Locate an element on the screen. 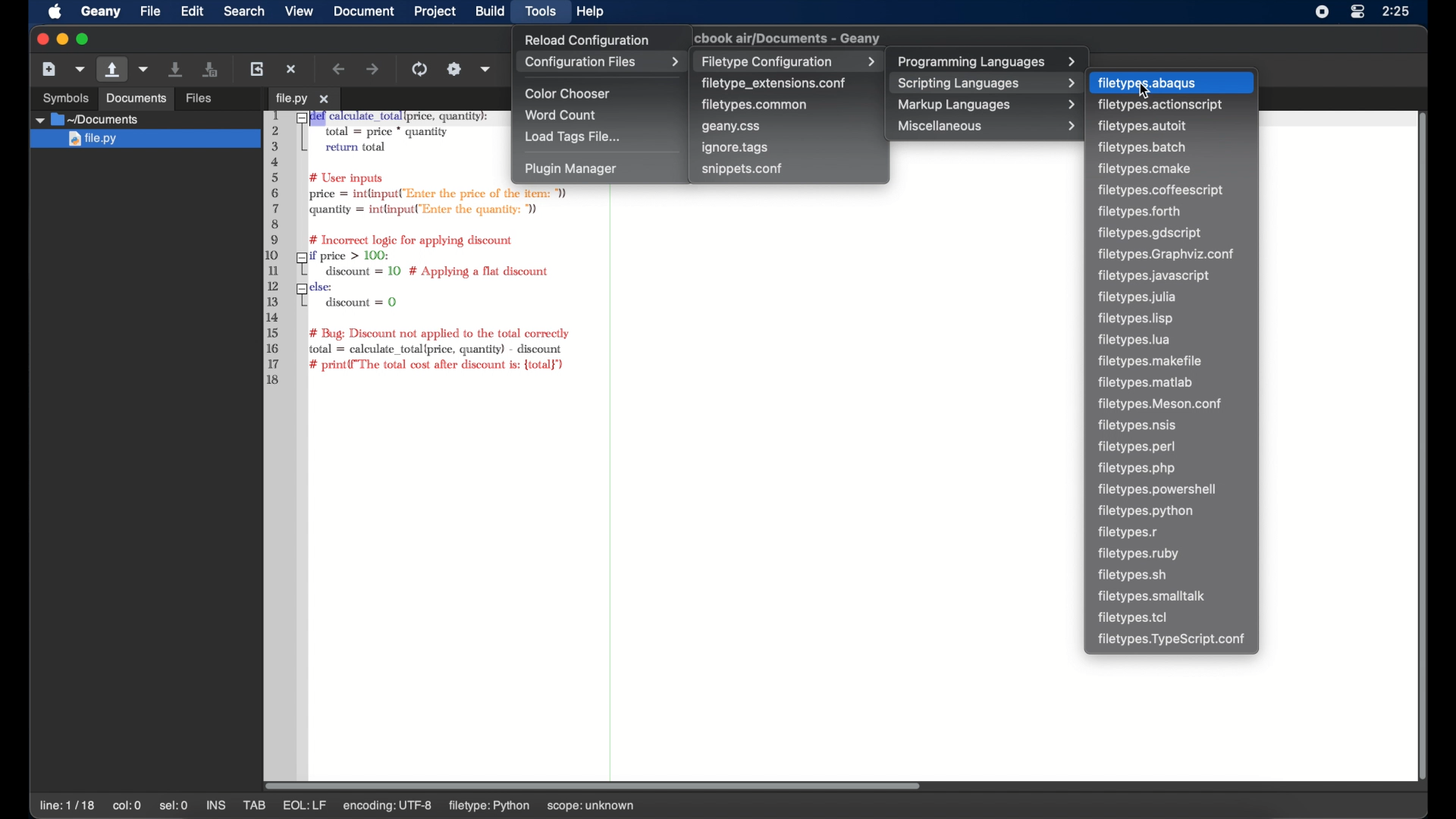  sel:0 is located at coordinates (174, 805).